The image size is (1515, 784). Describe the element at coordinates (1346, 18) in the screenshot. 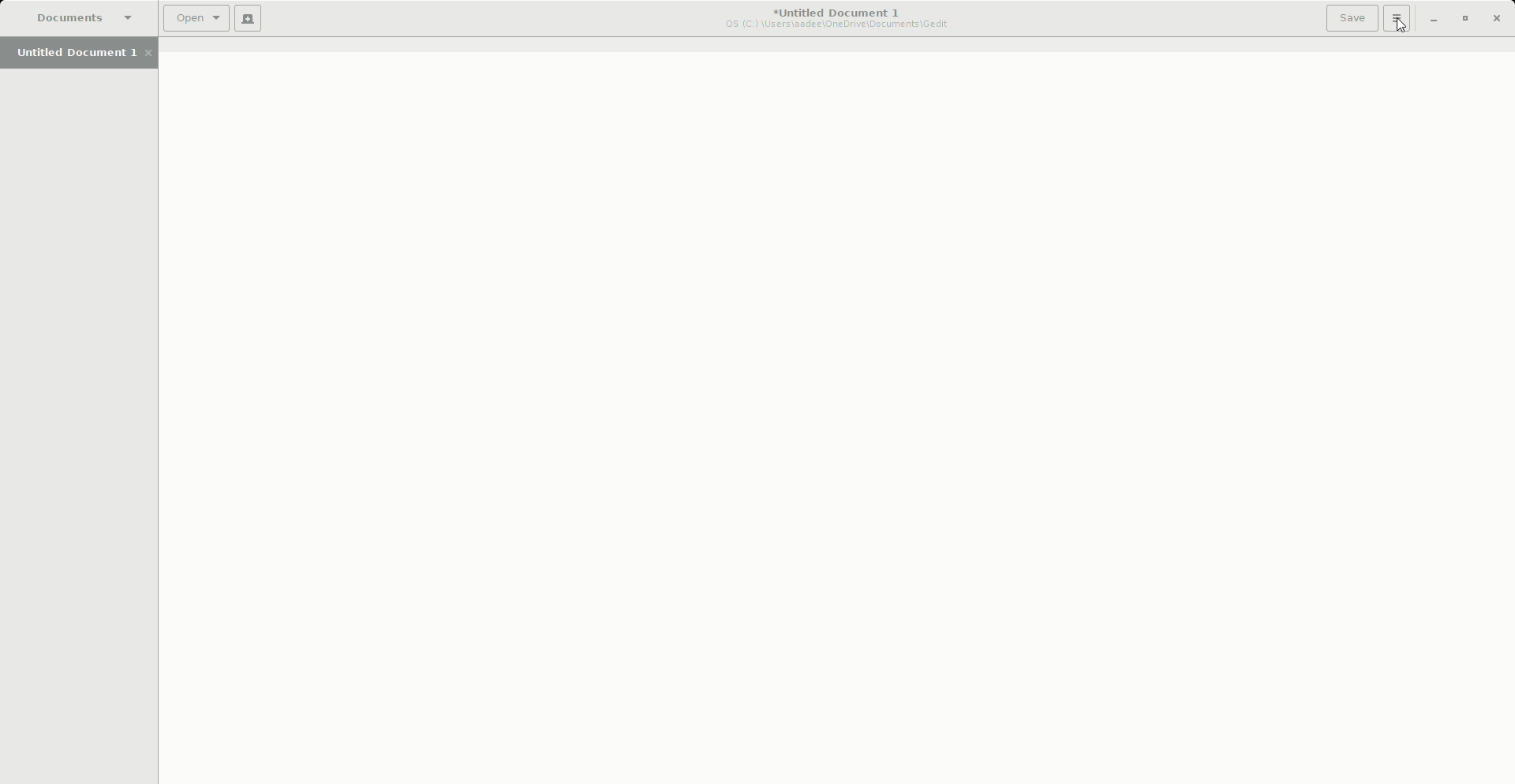

I see `Save` at that location.